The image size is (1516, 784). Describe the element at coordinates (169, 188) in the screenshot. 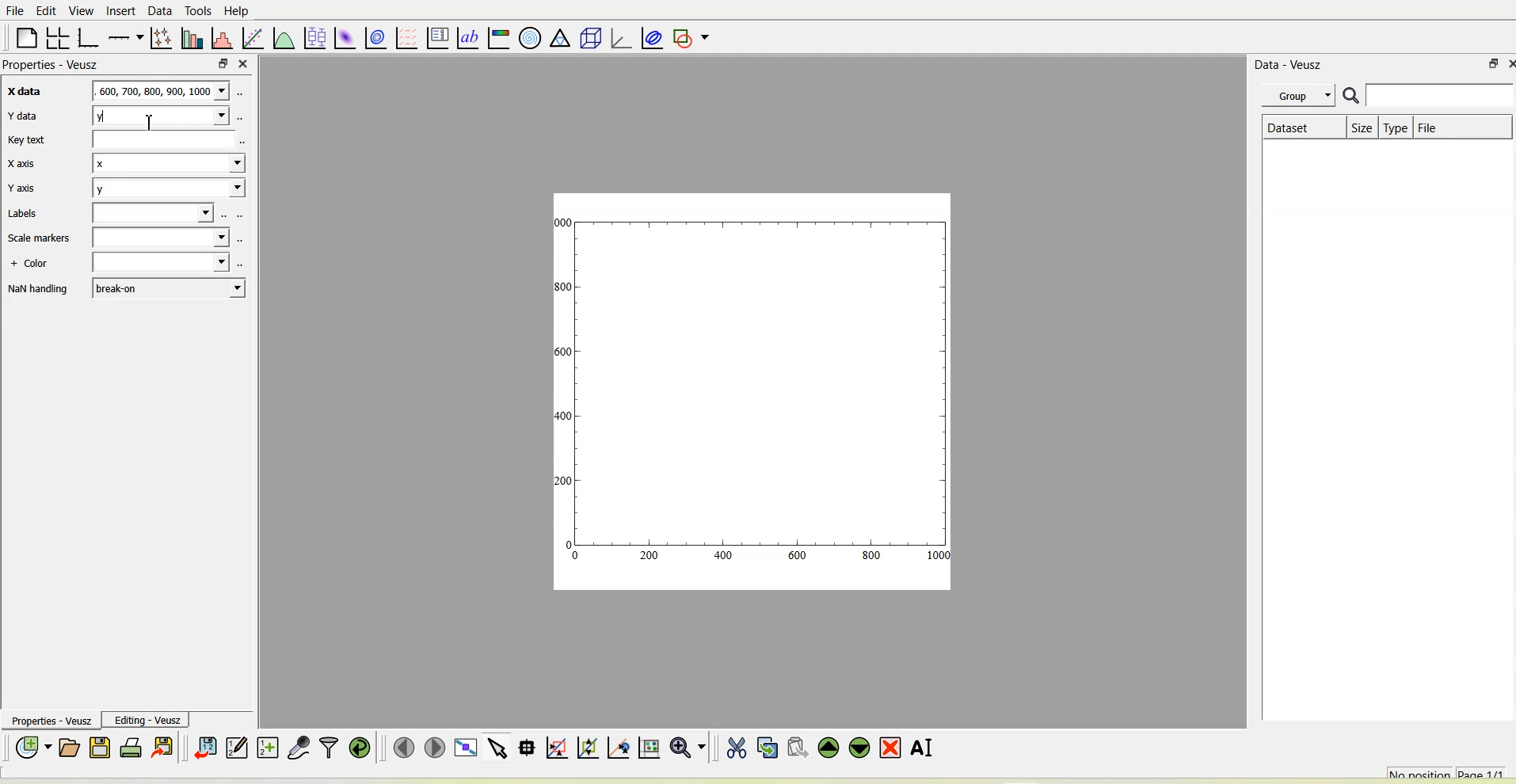

I see `y` at that location.